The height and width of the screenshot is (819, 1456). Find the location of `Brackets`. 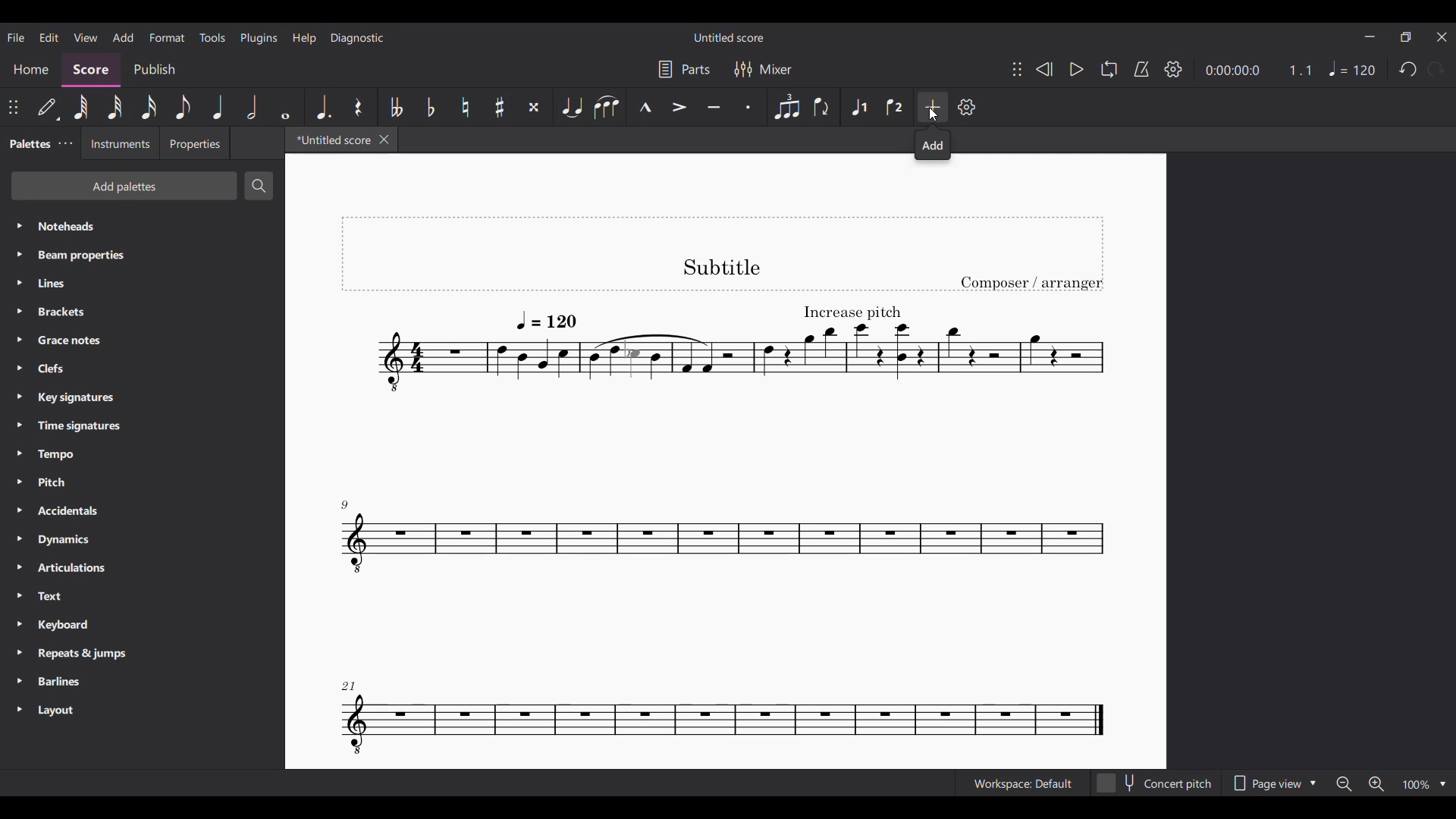

Brackets is located at coordinates (143, 312).